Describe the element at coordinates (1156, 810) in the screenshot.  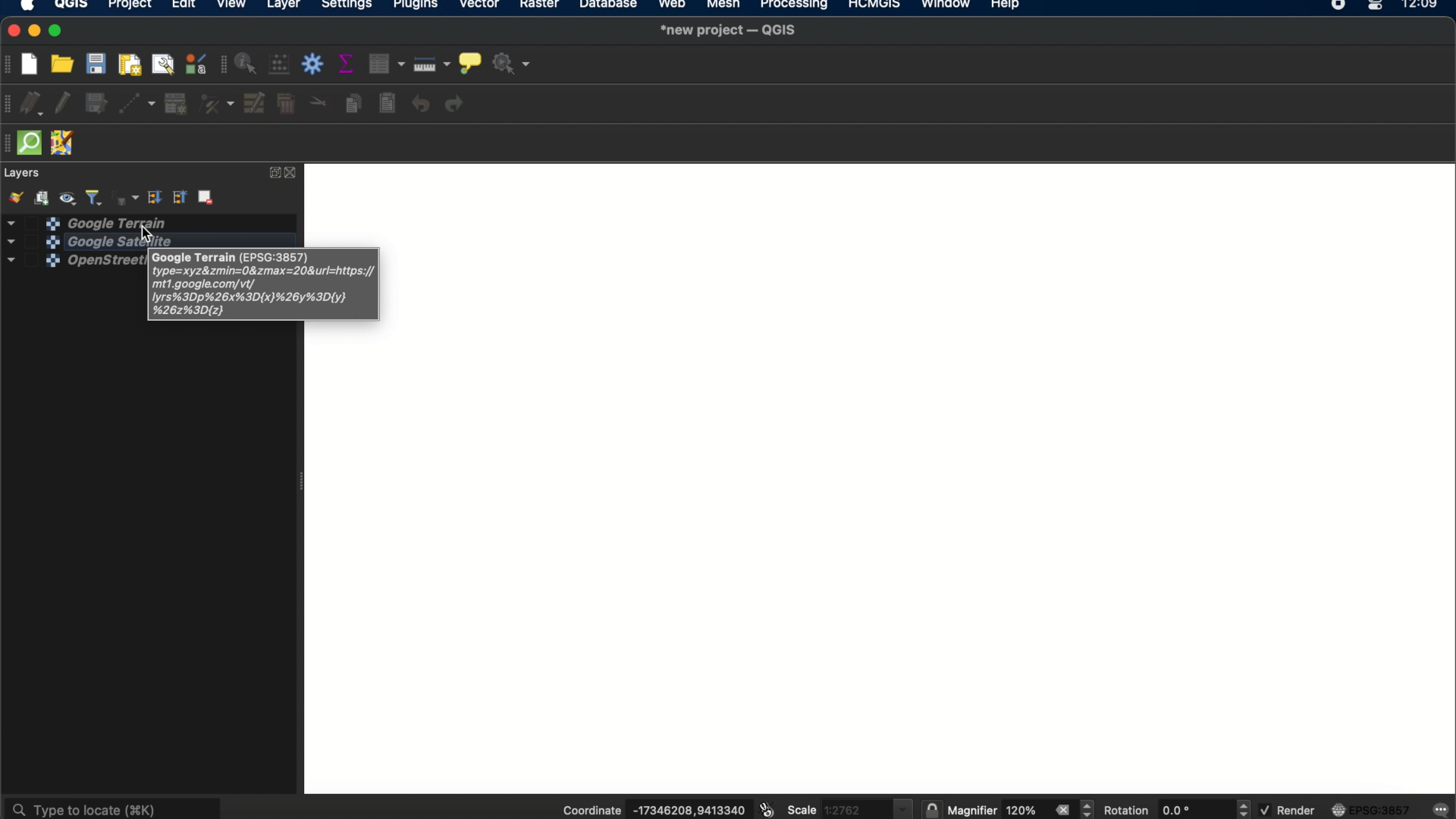
I see `rotation 0.0` at that location.